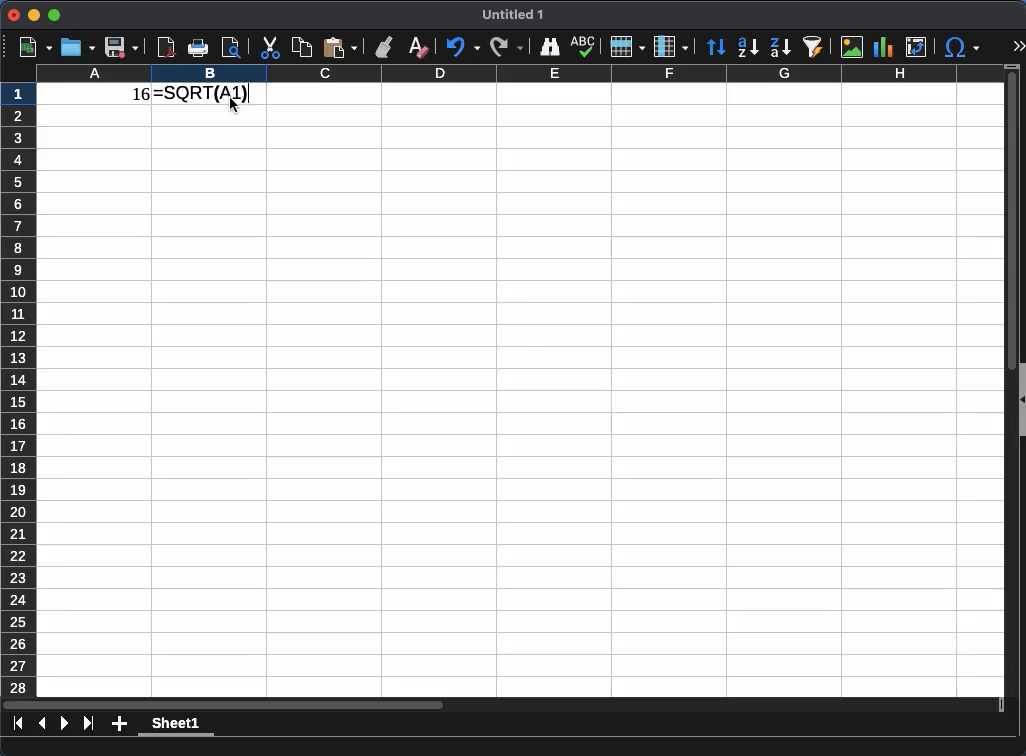 The width and height of the screenshot is (1026, 756). Describe the element at coordinates (198, 49) in the screenshot. I see `print` at that location.